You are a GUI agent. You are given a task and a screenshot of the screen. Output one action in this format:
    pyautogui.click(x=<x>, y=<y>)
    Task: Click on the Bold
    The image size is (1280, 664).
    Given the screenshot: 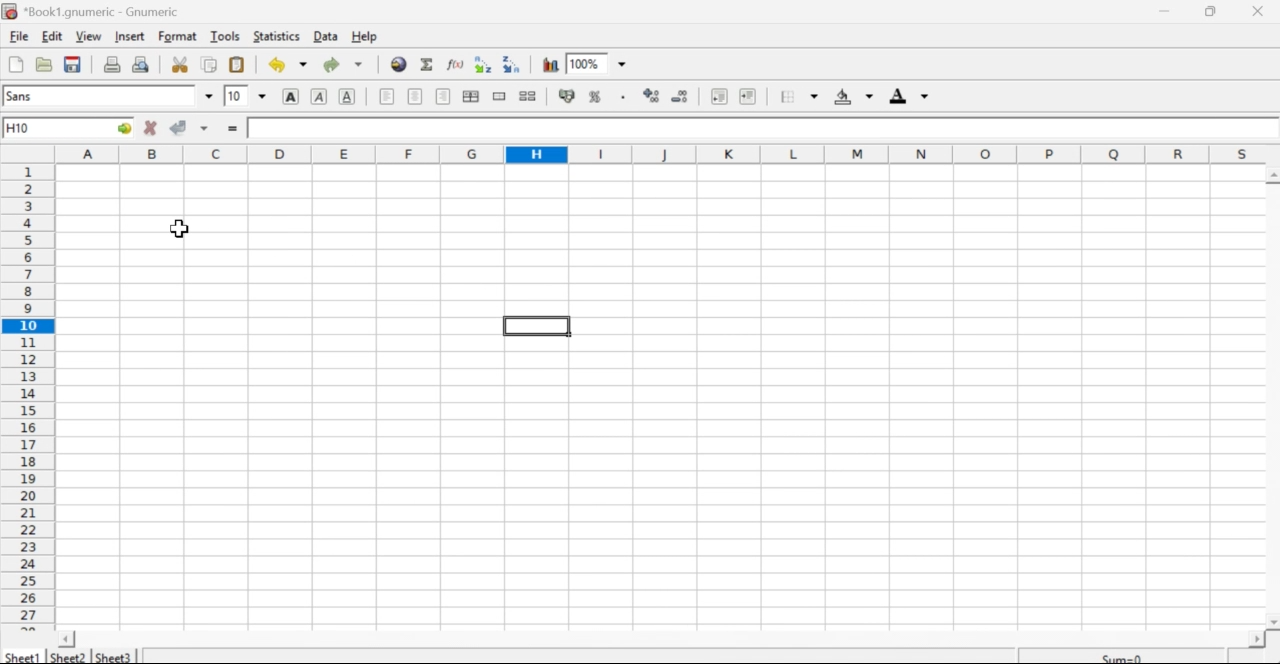 What is the action you would take?
    pyautogui.click(x=294, y=96)
    